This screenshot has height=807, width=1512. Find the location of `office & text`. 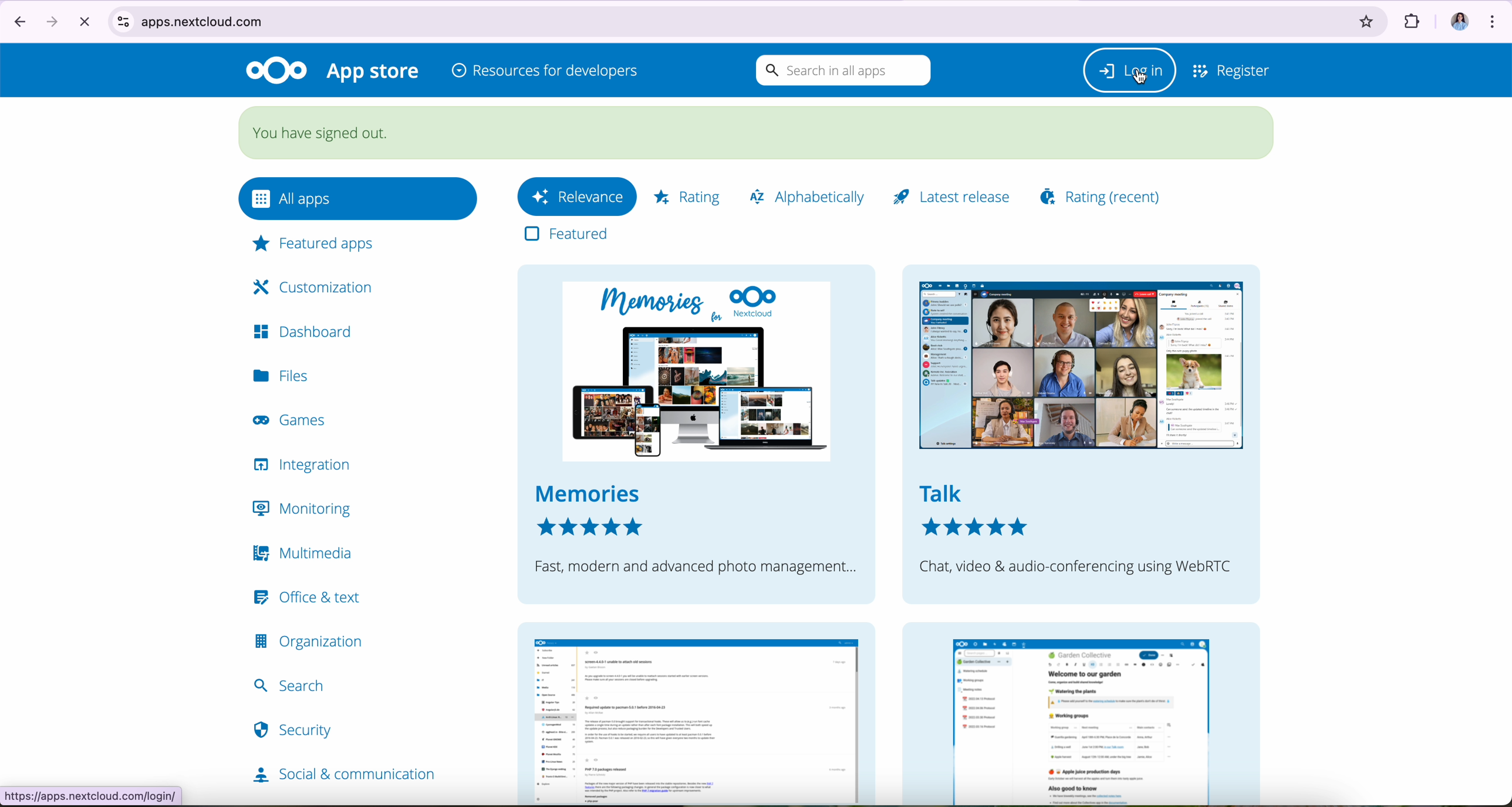

office & text is located at coordinates (306, 595).